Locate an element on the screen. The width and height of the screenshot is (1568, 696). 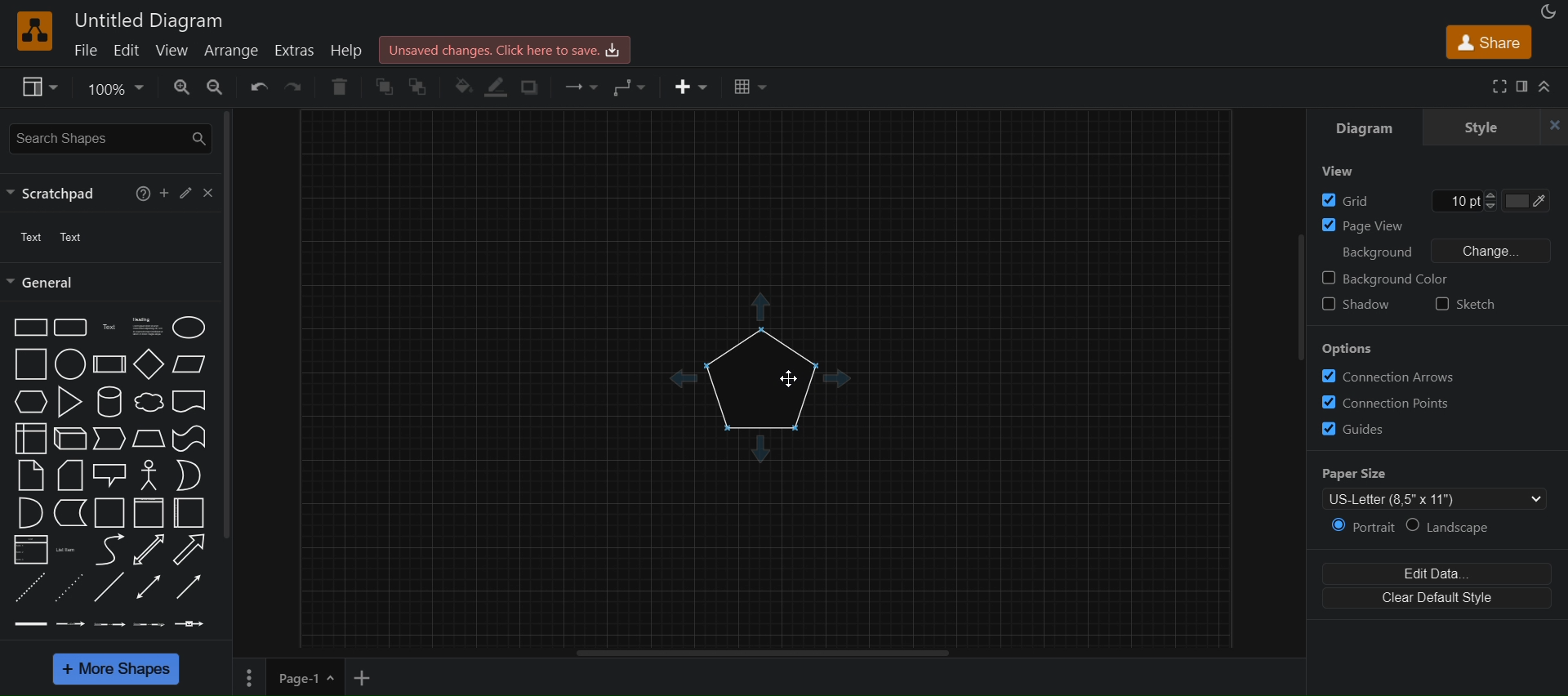
Container is located at coordinates (109, 513).